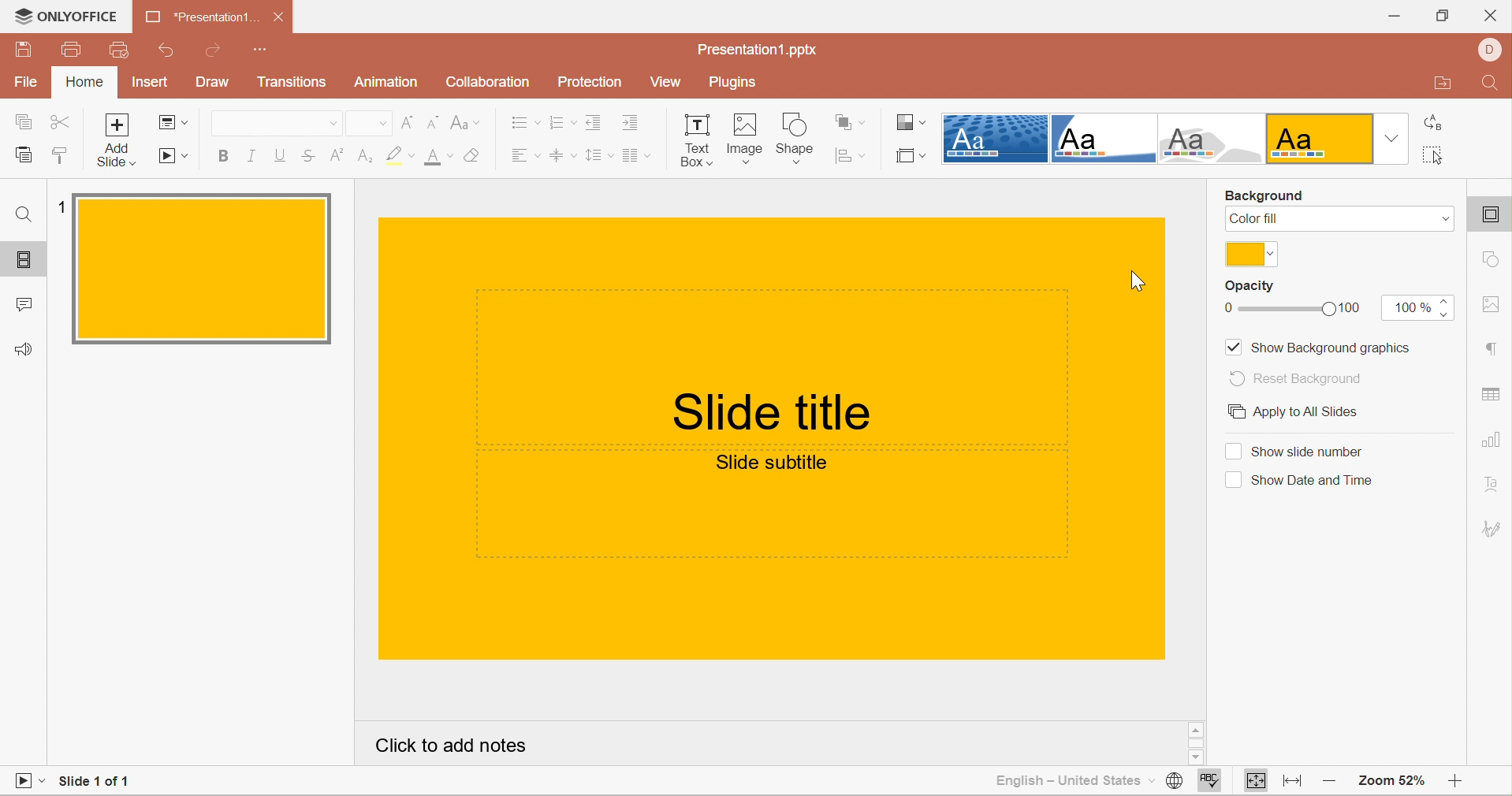  What do you see at coordinates (594, 121) in the screenshot?
I see `Decrease Indent` at bounding box center [594, 121].